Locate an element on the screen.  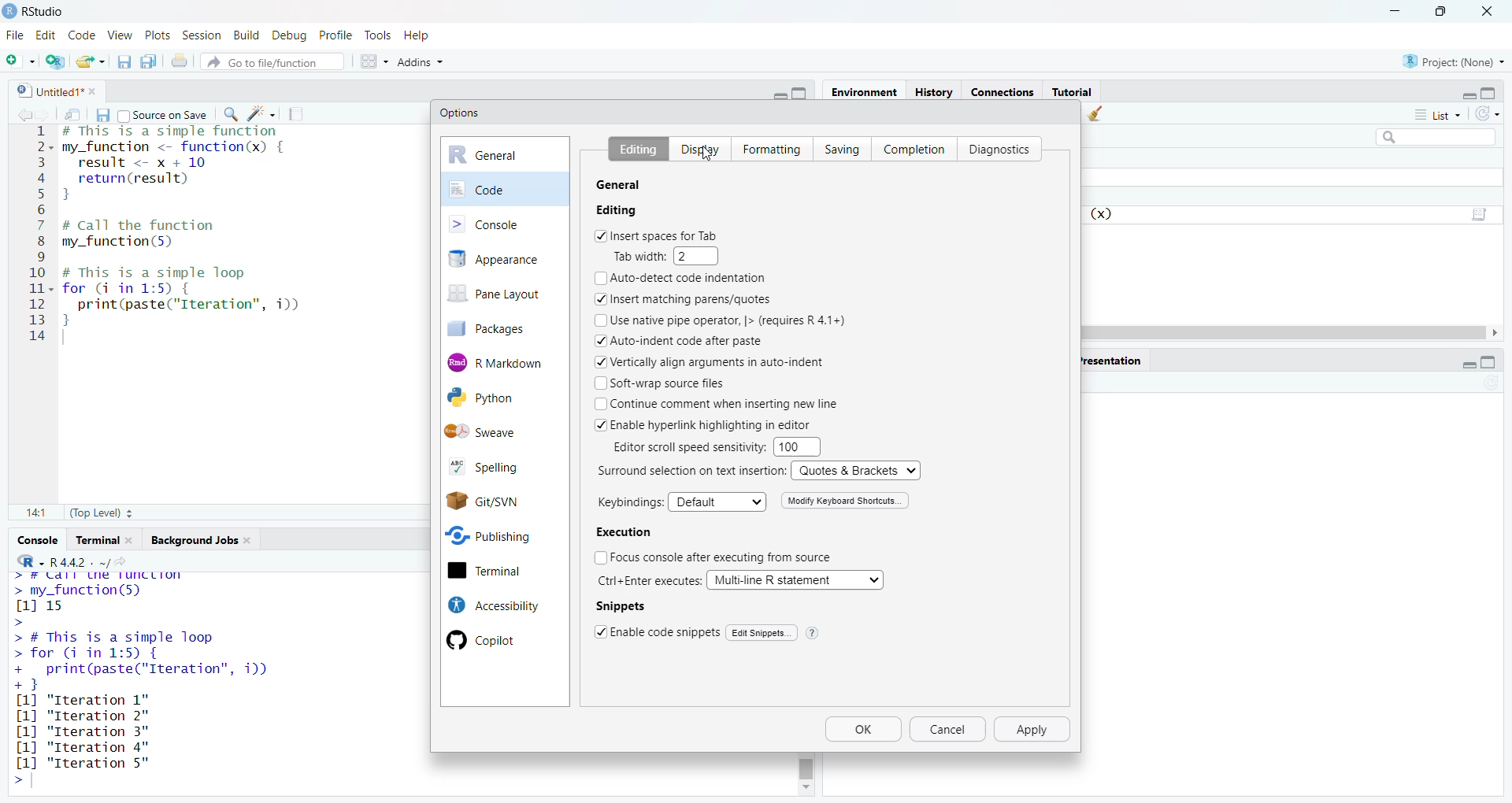
show in new window is located at coordinates (74, 113).